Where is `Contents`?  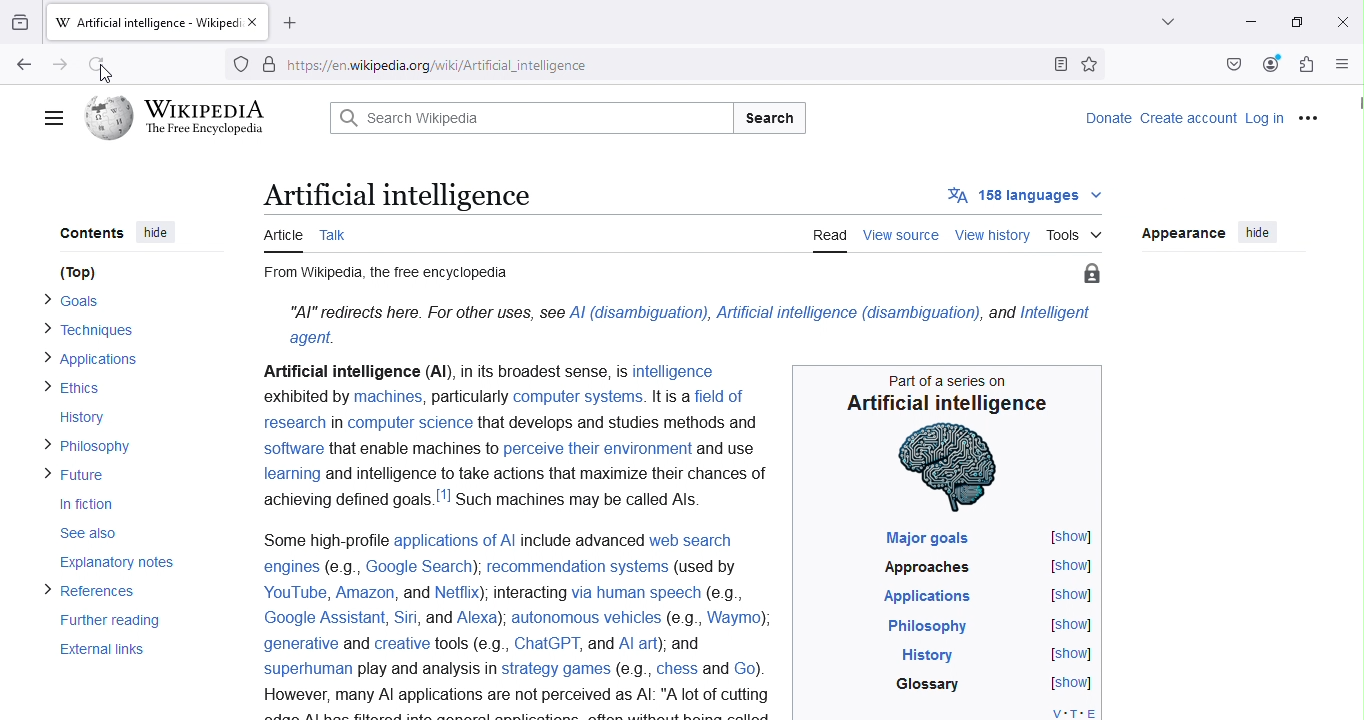
Contents is located at coordinates (88, 232).